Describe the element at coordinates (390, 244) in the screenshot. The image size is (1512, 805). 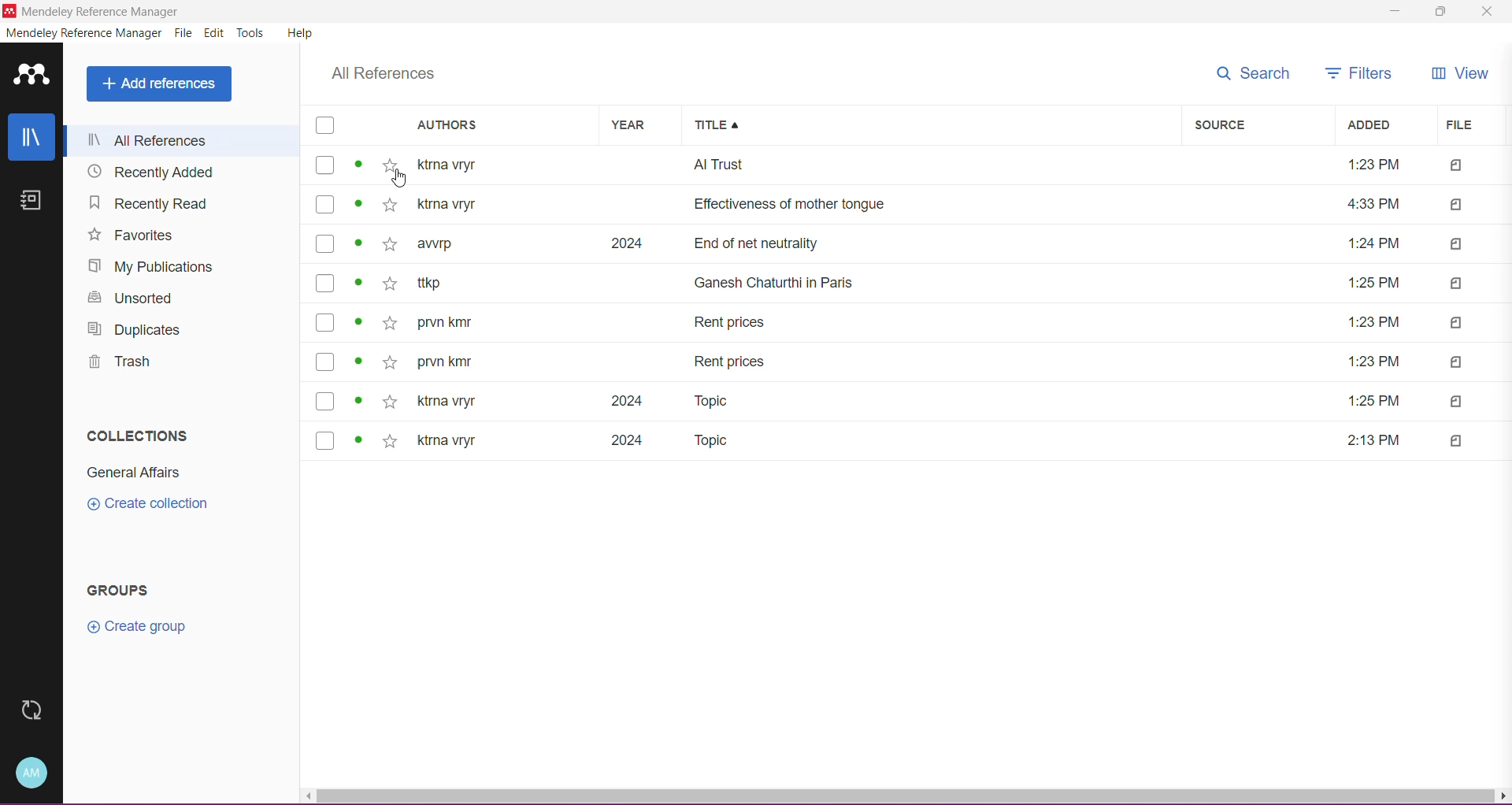
I see `Add to favorite` at that location.